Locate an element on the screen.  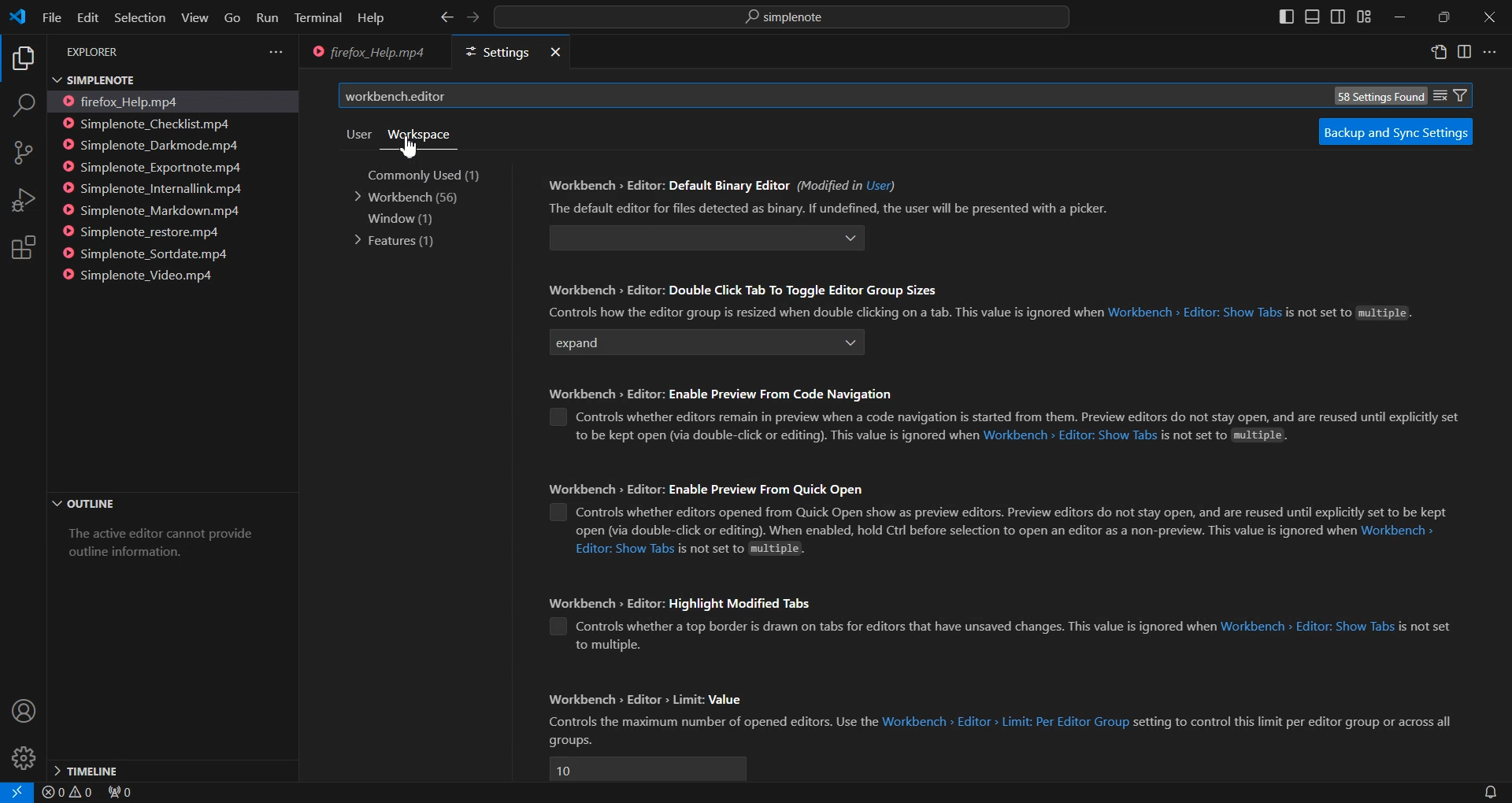
Open a remote window is located at coordinates (13, 792).